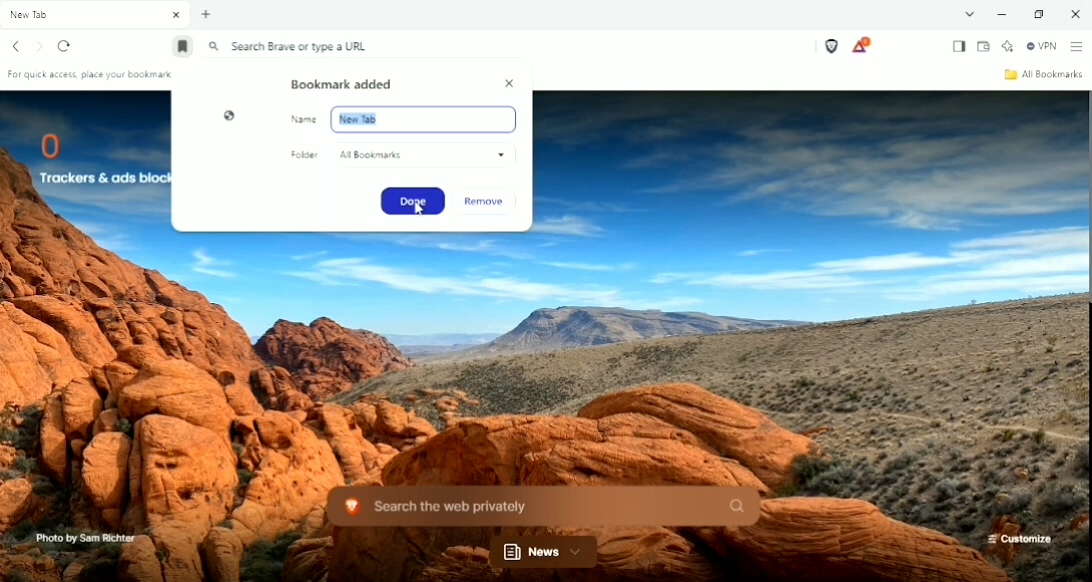  Describe the element at coordinates (206, 15) in the screenshot. I see `New Tab` at that location.